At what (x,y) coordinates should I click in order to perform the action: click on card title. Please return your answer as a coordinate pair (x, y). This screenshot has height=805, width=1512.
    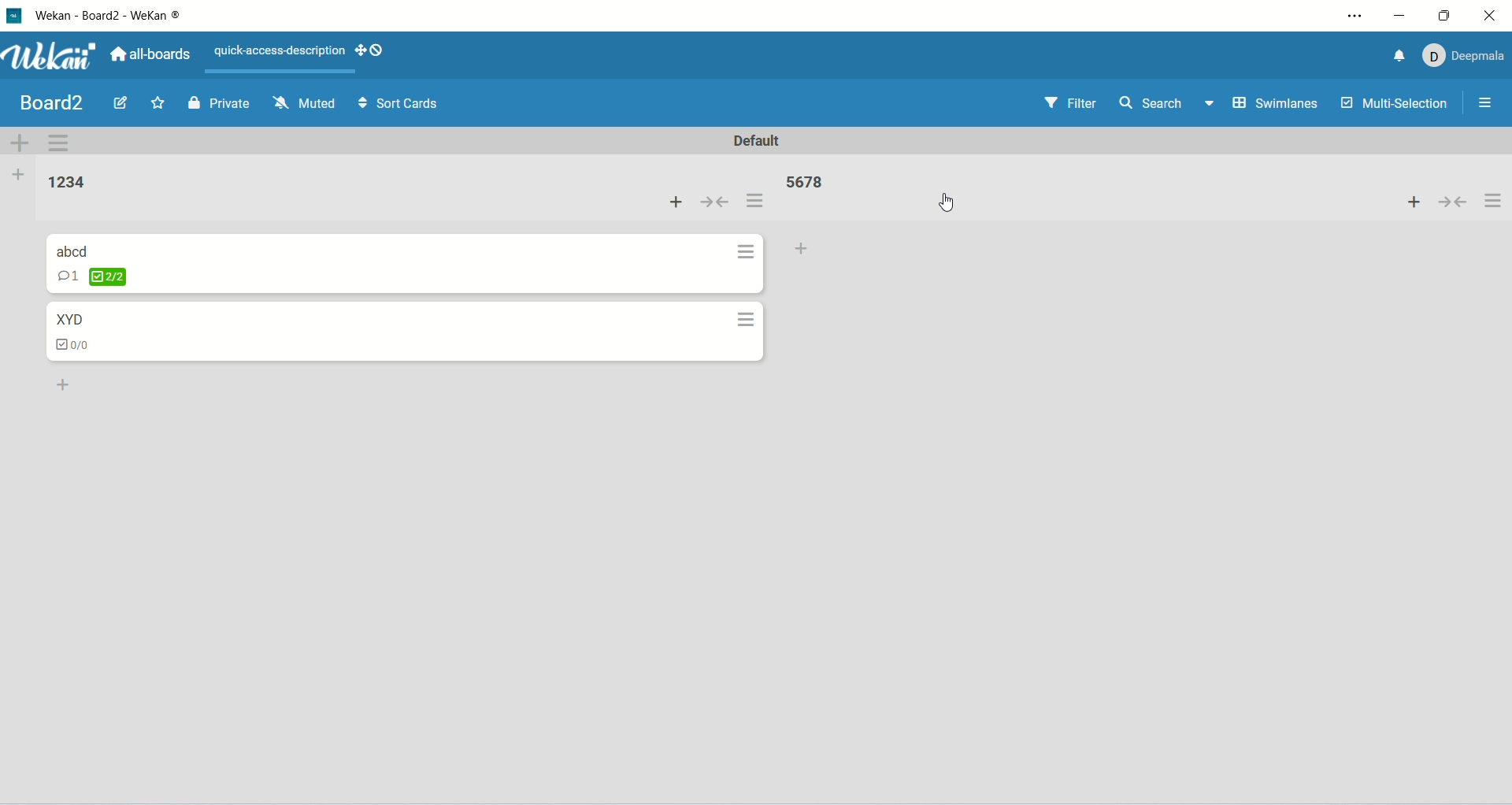
    Looking at the image, I should click on (74, 252).